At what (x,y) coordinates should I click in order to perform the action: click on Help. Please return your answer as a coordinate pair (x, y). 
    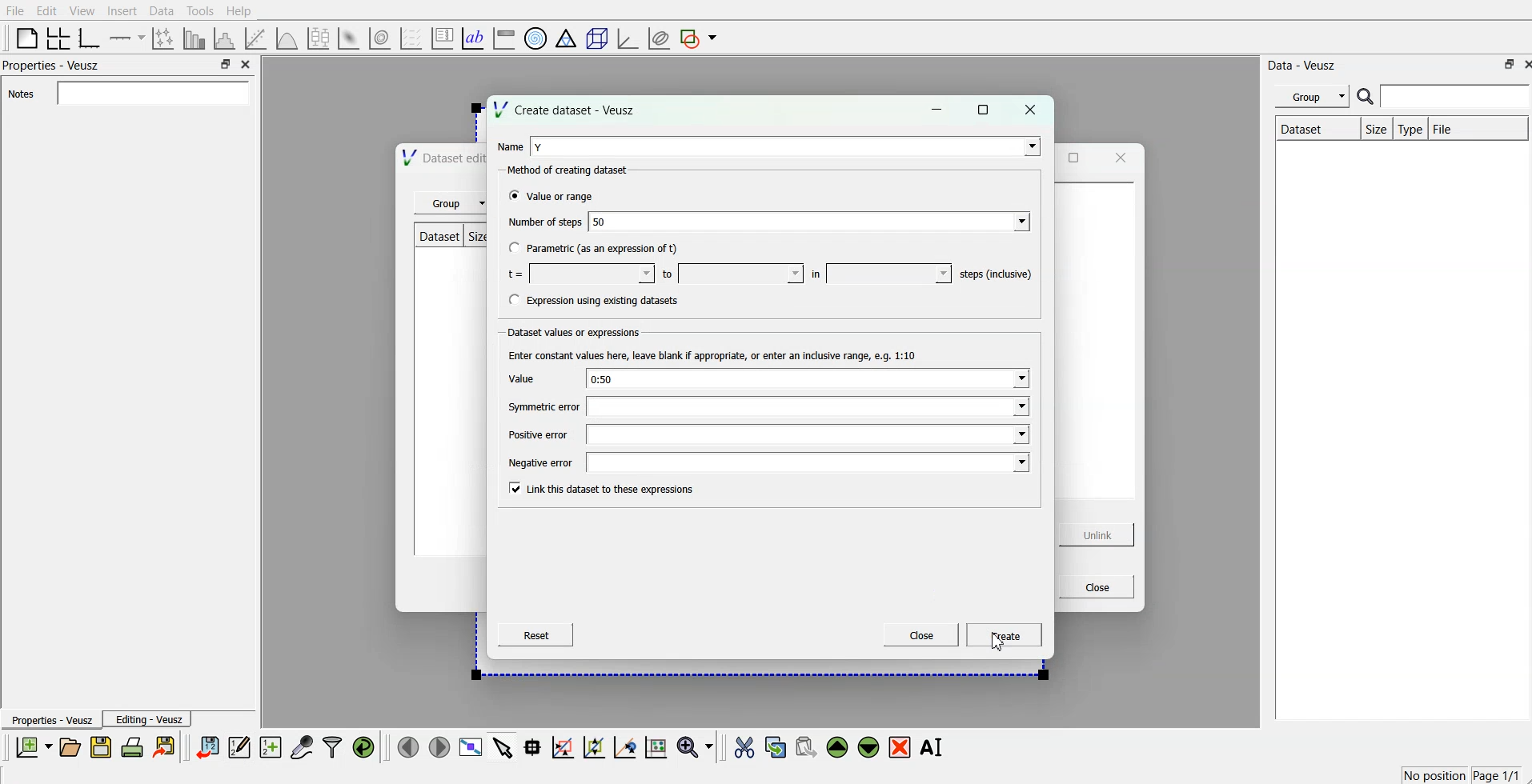
    Looking at the image, I should click on (239, 12).